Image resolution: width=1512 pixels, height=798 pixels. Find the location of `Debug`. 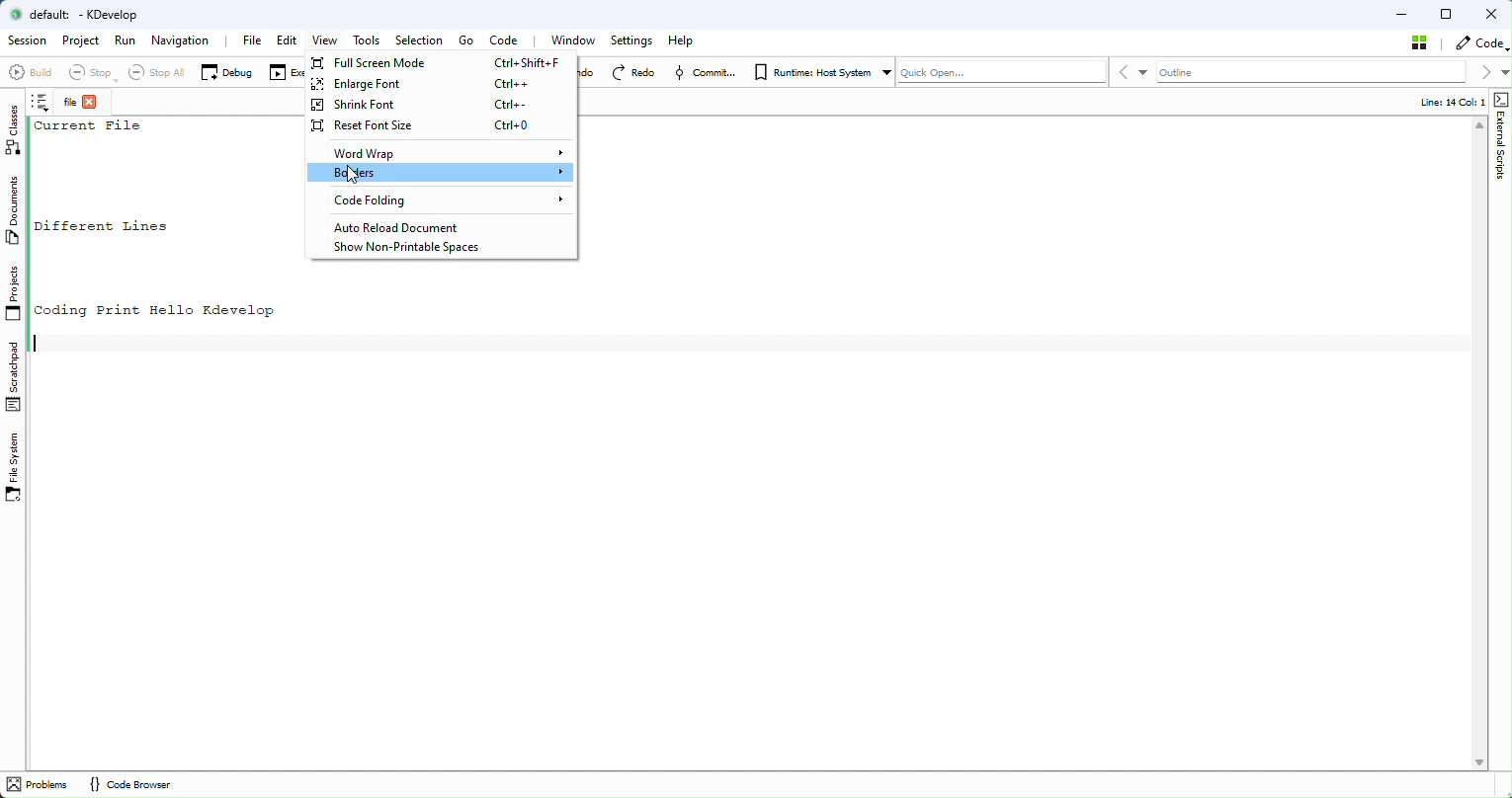

Debug is located at coordinates (226, 71).